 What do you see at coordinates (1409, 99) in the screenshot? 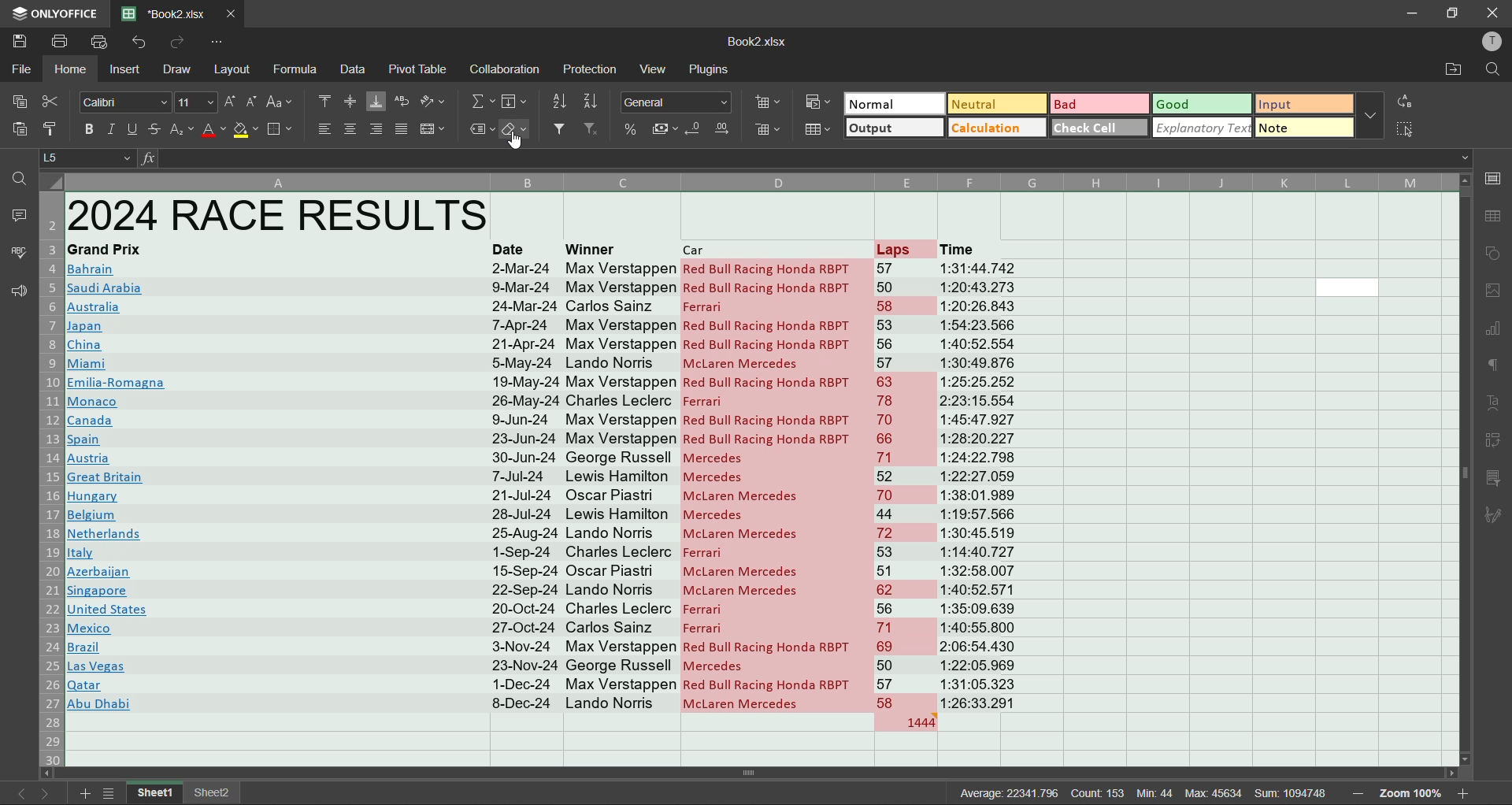
I see `replace` at bounding box center [1409, 99].